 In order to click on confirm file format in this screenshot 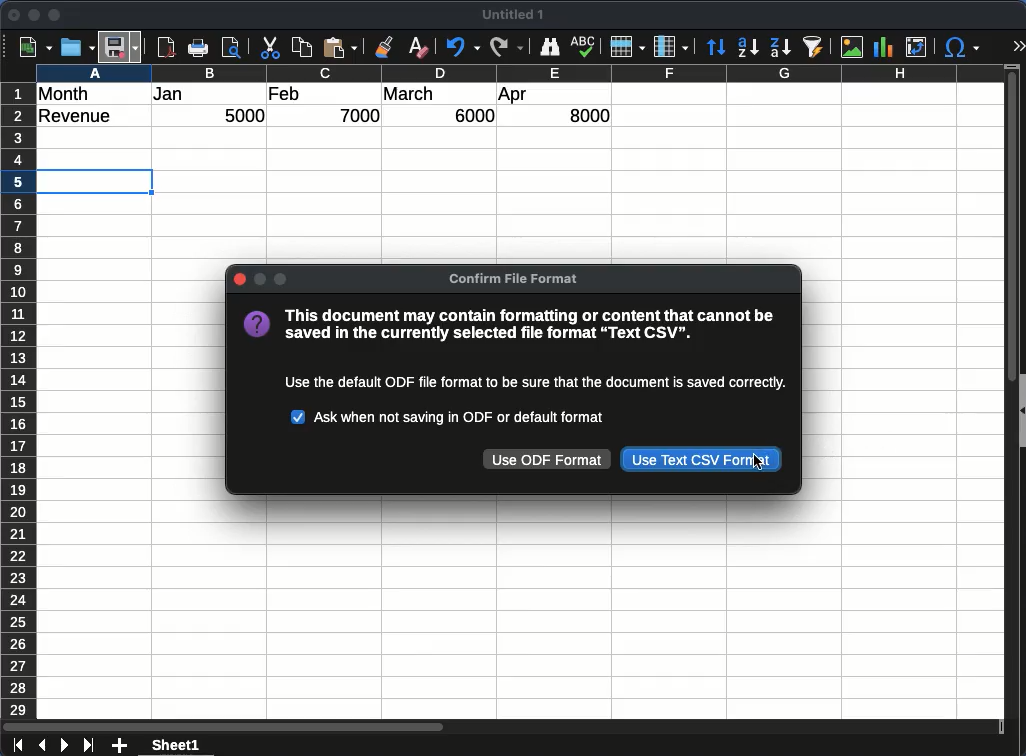, I will do `click(517, 278)`.